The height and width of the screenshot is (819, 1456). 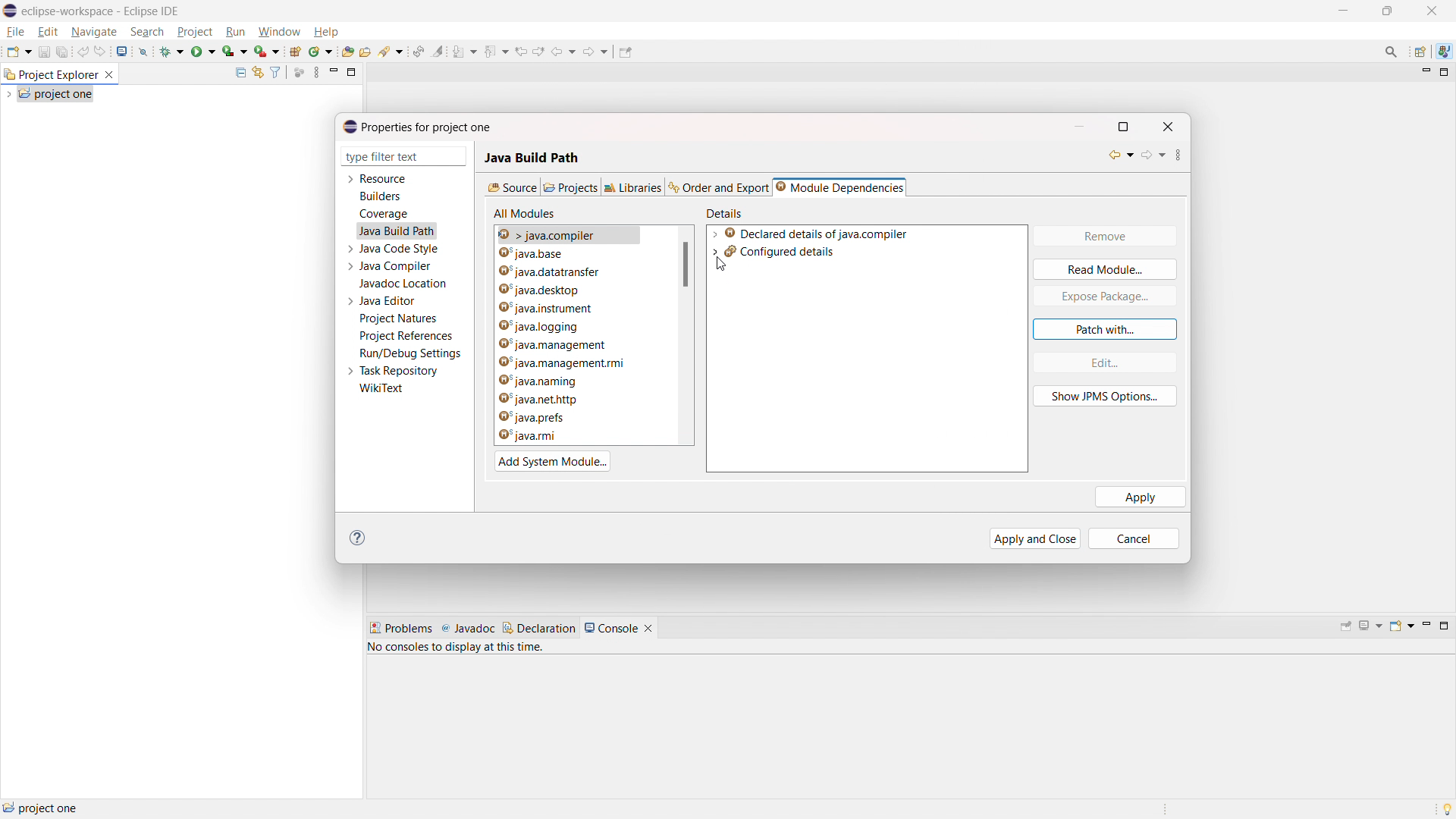 What do you see at coordinates (1105, 268) in the screenshot?
I see `read module` at bounding box center [1105, 268].